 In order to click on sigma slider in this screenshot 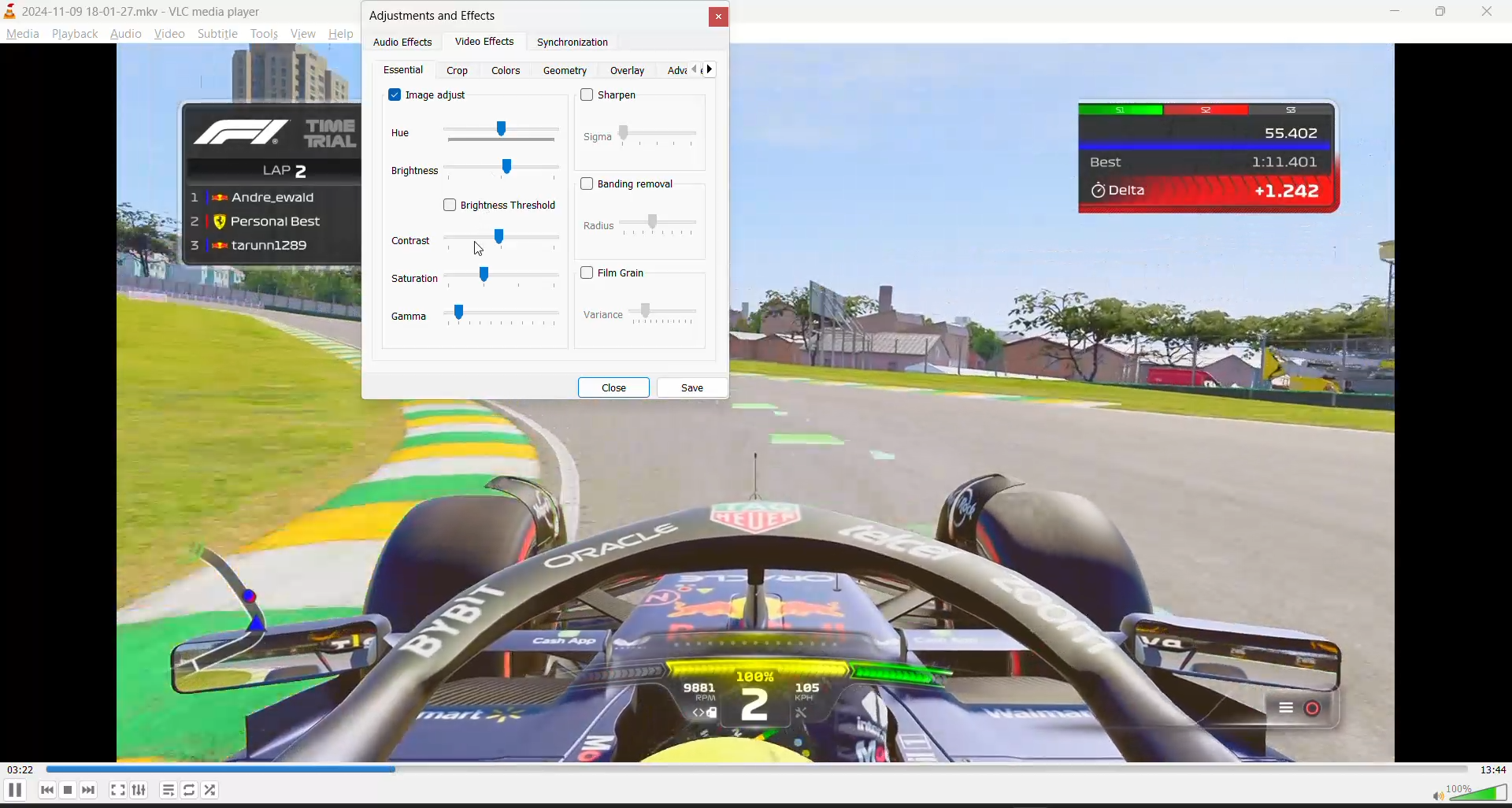, I will do `click(661, 136)`.